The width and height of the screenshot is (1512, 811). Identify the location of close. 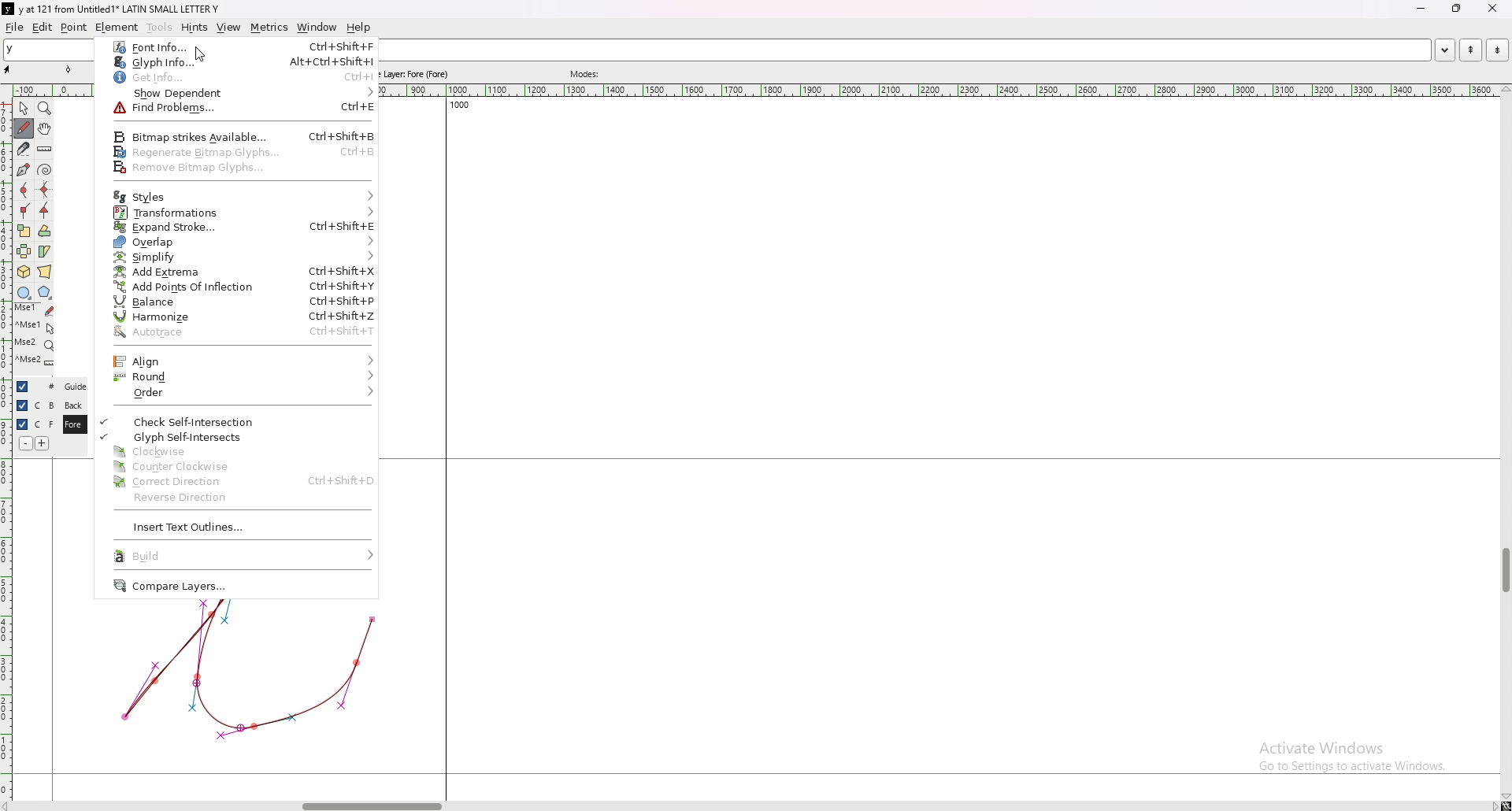
(1491, 9).